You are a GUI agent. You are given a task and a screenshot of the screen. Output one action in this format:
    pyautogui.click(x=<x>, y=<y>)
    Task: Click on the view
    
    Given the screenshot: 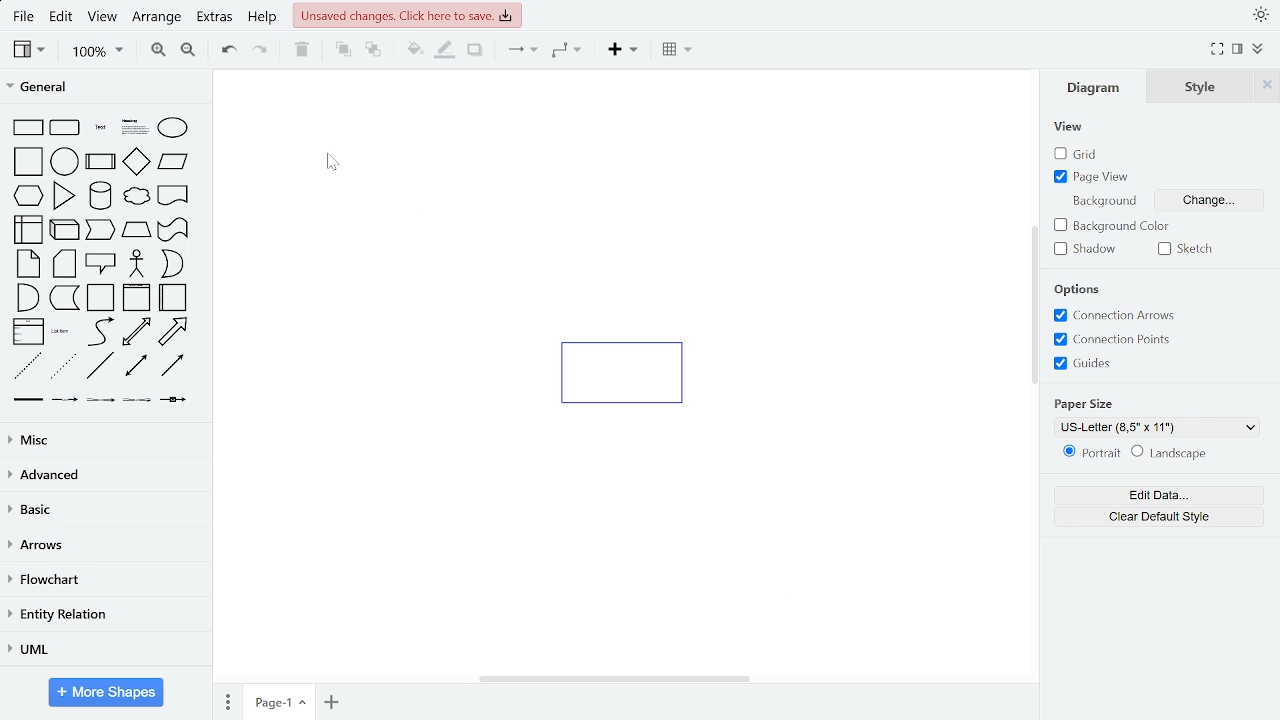 What is the action you would take?
    pyautogui.click(x=30, y=51)
    